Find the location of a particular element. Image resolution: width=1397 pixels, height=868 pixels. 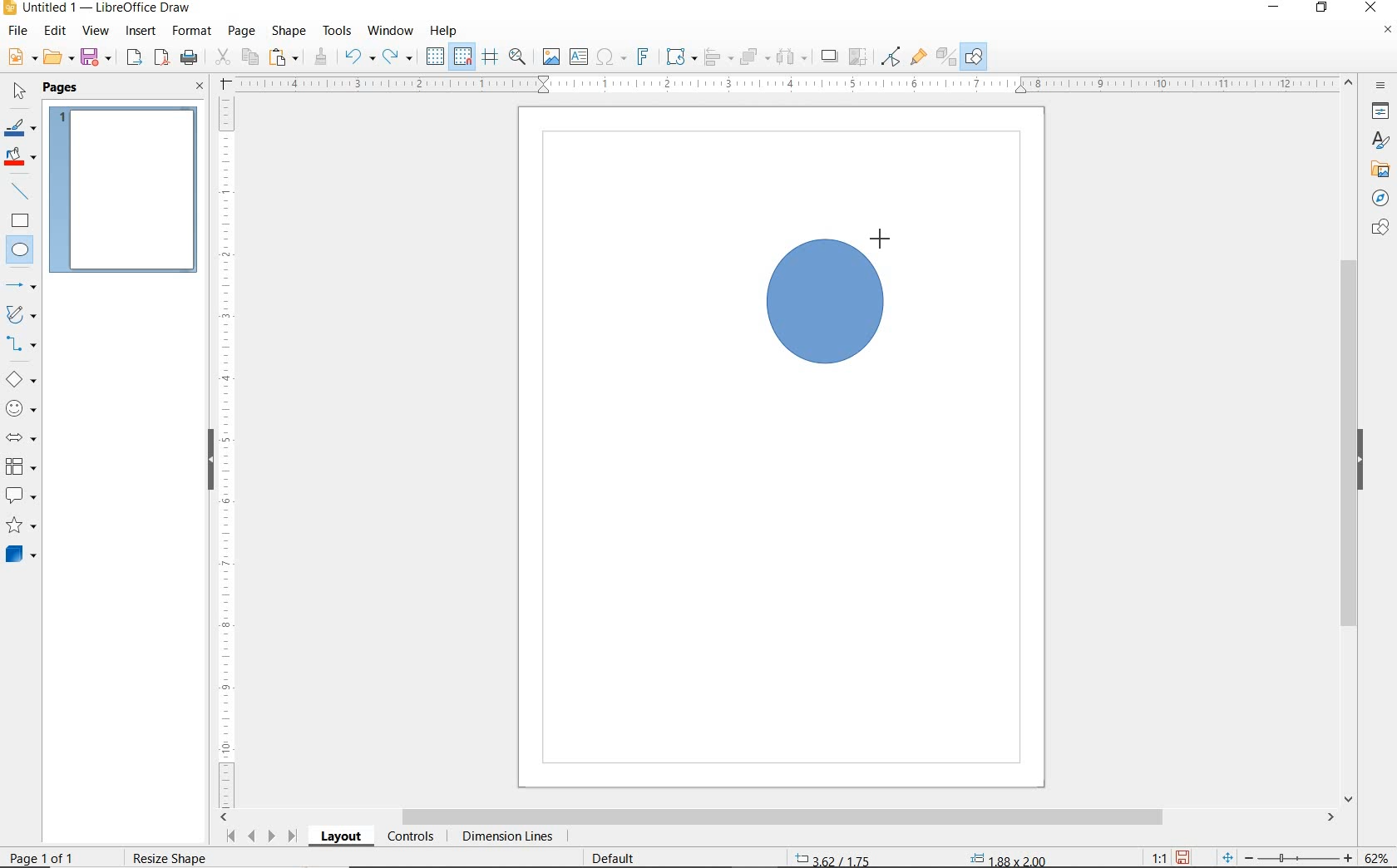

INSERT FONTWORK TEXT is located at coordinates (641, 57).